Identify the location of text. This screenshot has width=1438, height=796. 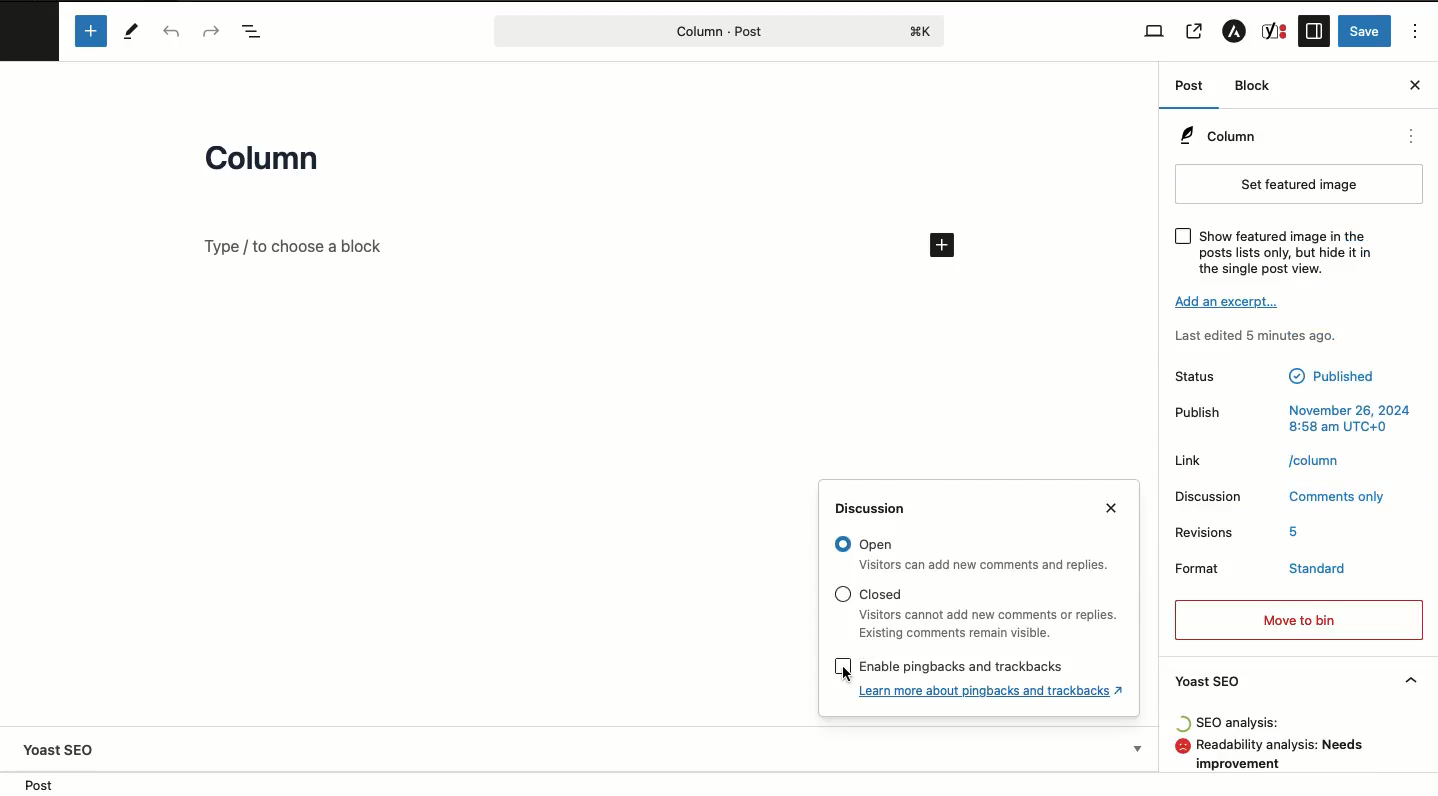
(1351, 418).